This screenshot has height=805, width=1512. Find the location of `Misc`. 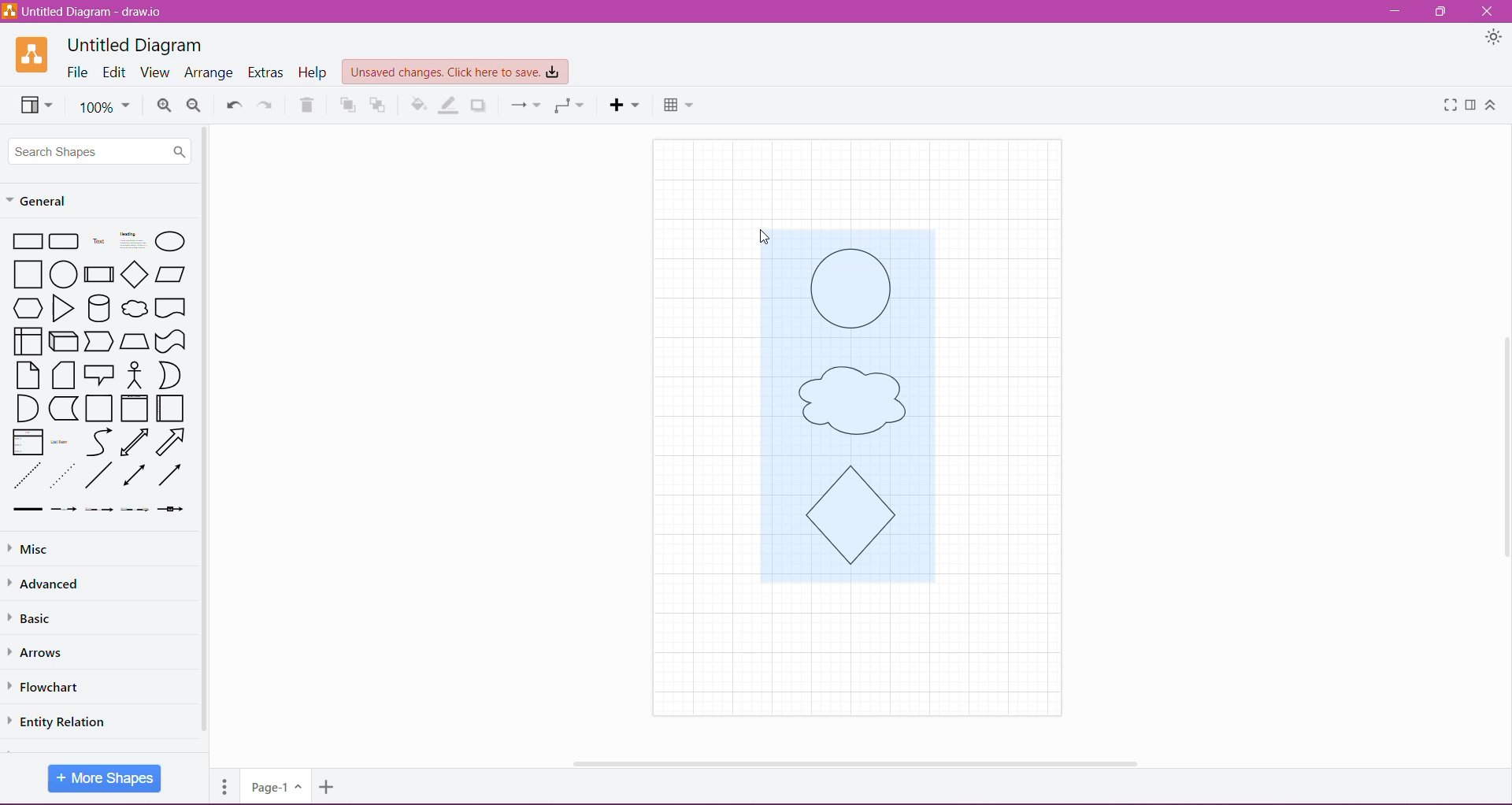

Misc is located at coordinates (31, 550).